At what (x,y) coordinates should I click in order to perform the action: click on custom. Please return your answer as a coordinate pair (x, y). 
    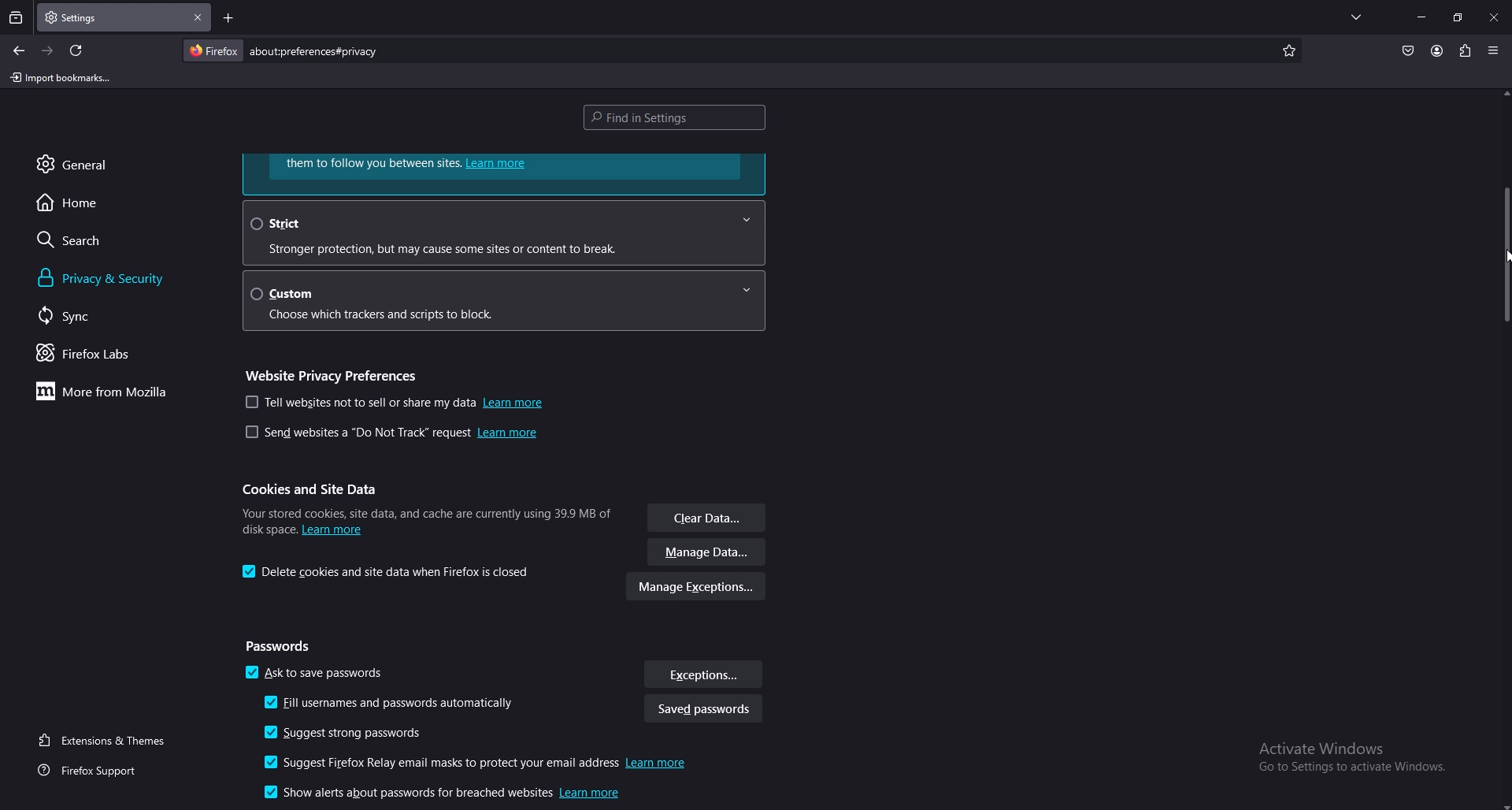
    Looking at the image, I should click on (511, 299).